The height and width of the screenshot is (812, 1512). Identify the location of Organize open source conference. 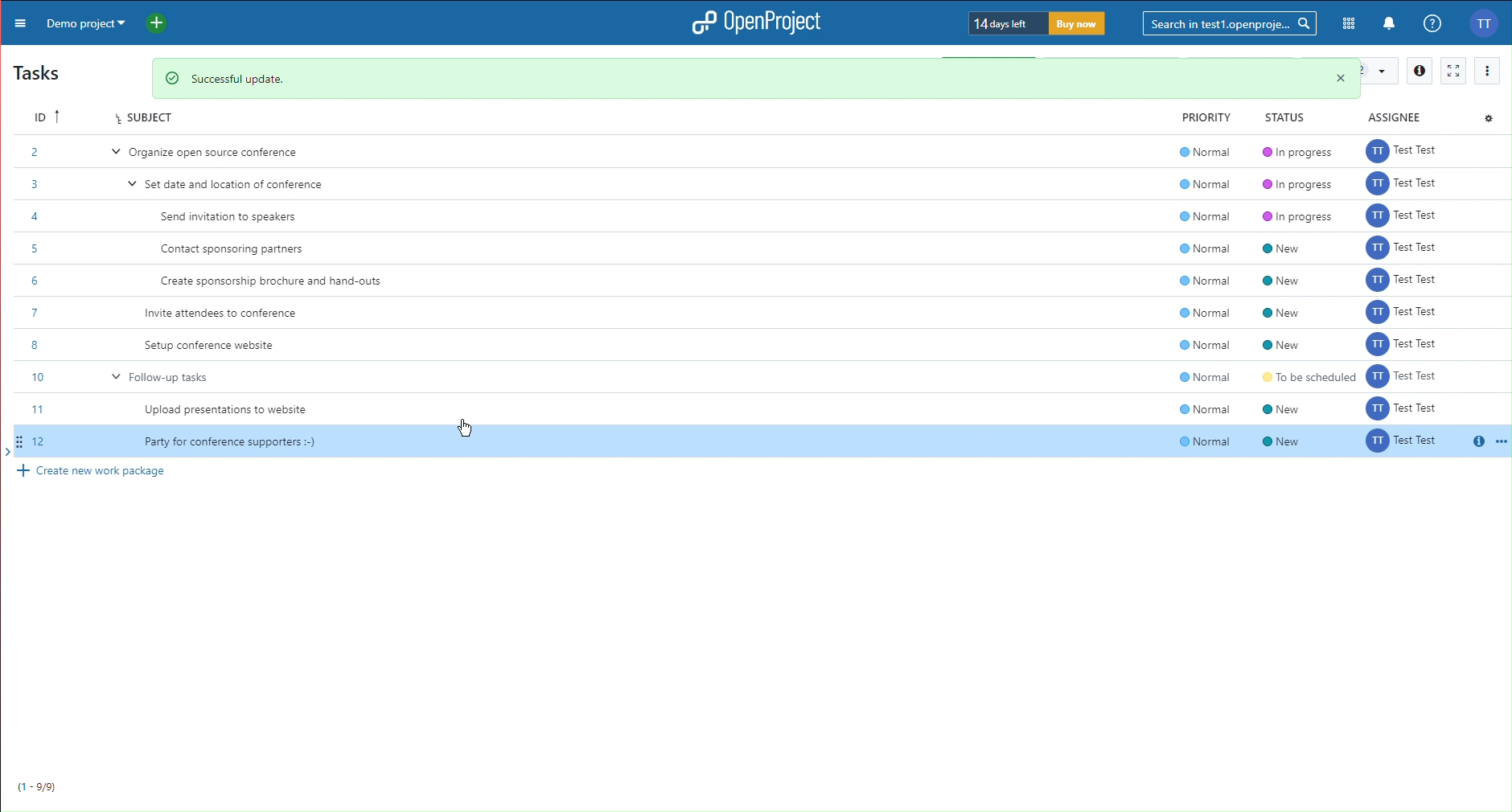
(225, 152).